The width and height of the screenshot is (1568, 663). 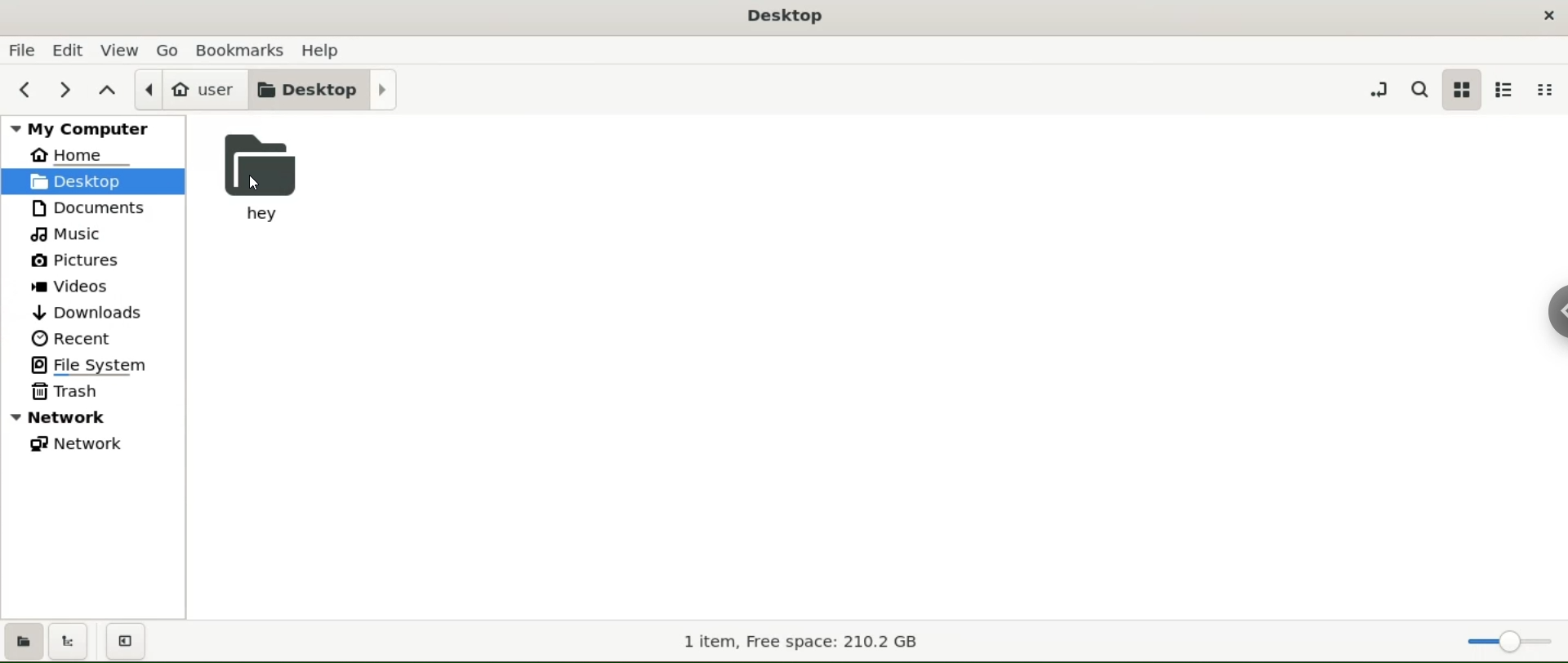 What do you see at coordinates (91, 285) in the screenshot?
I see `videos` at bounding box center [91, 285].